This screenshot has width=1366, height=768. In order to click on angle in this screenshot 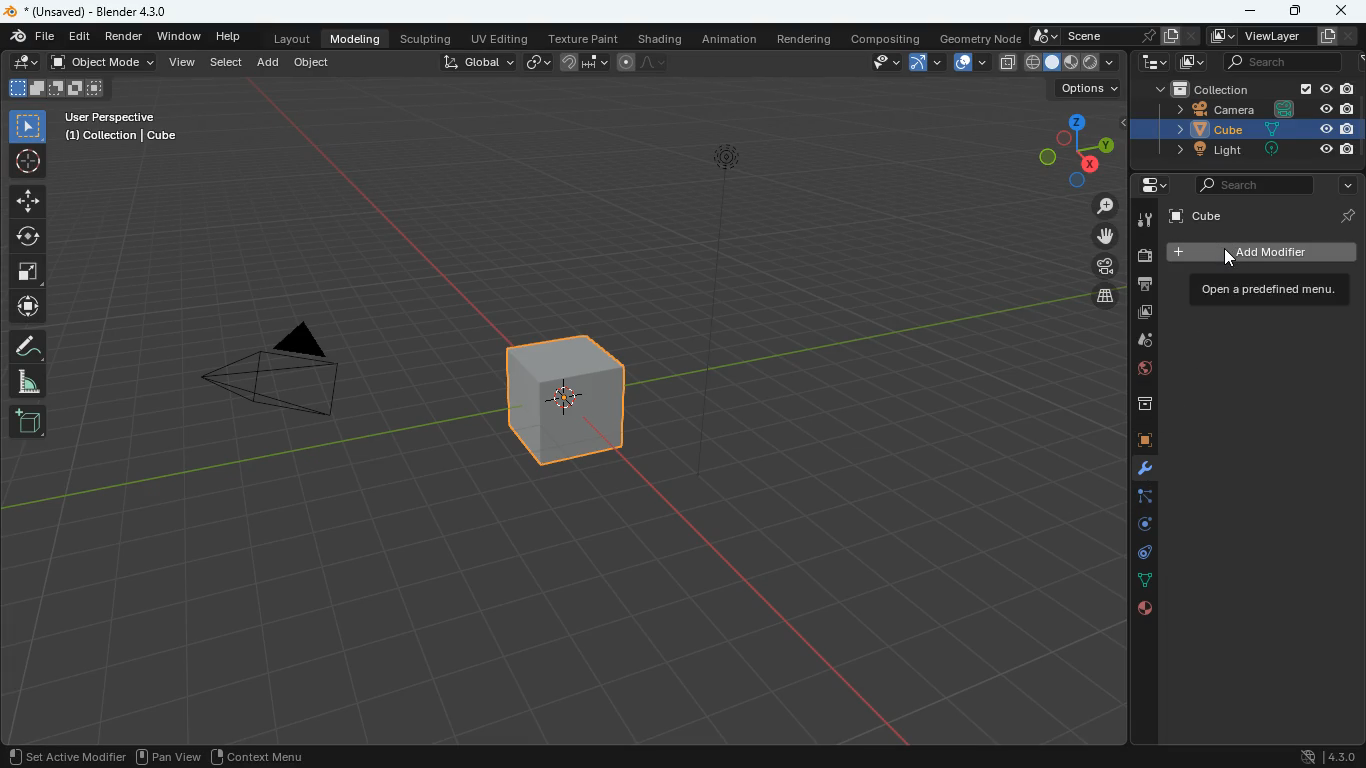, I will do `click(23, 381)`.